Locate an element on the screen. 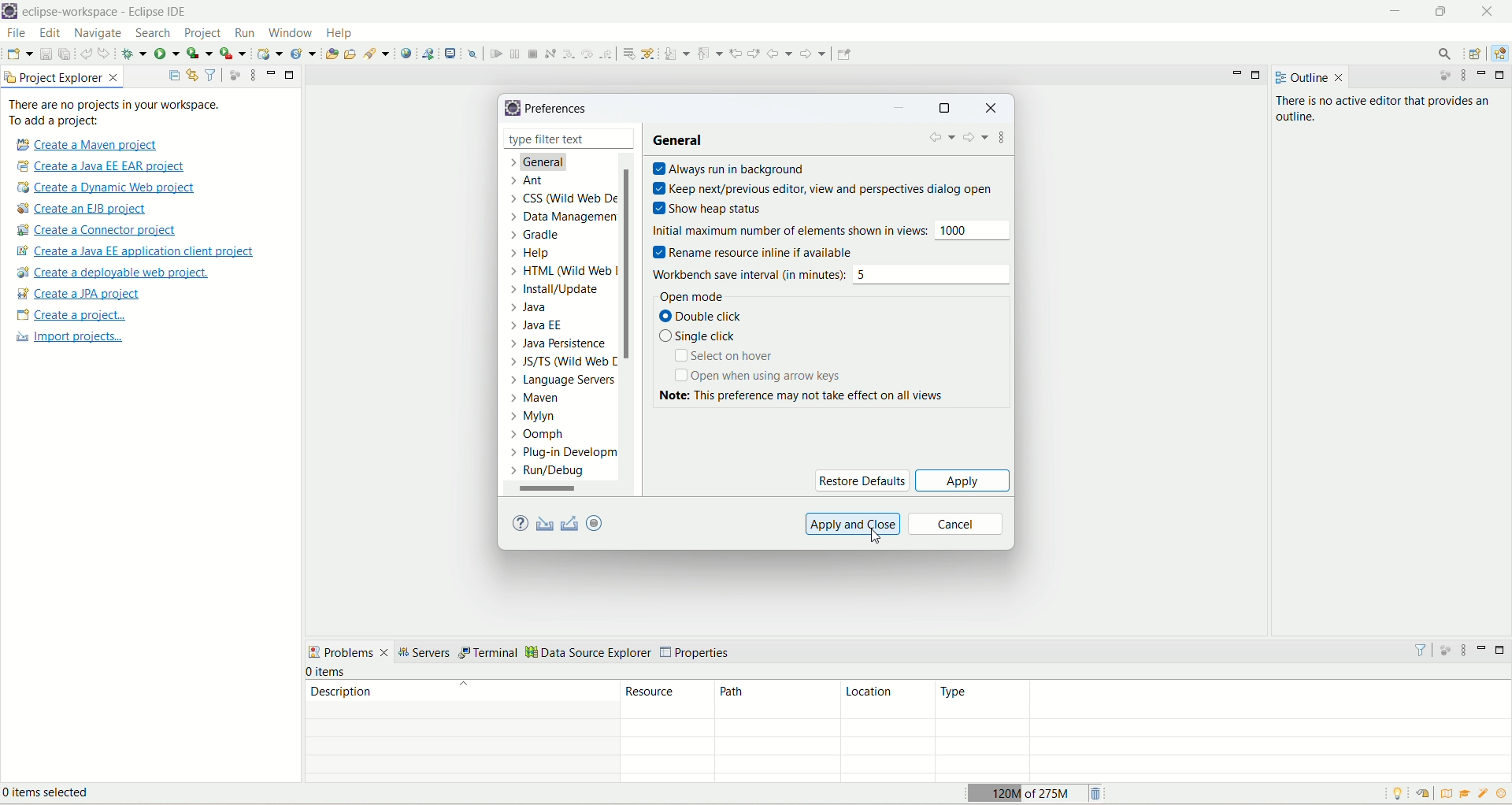 The height and width of the screenshot is (805, 1512). minimize is located at coordinates (1395, 13).